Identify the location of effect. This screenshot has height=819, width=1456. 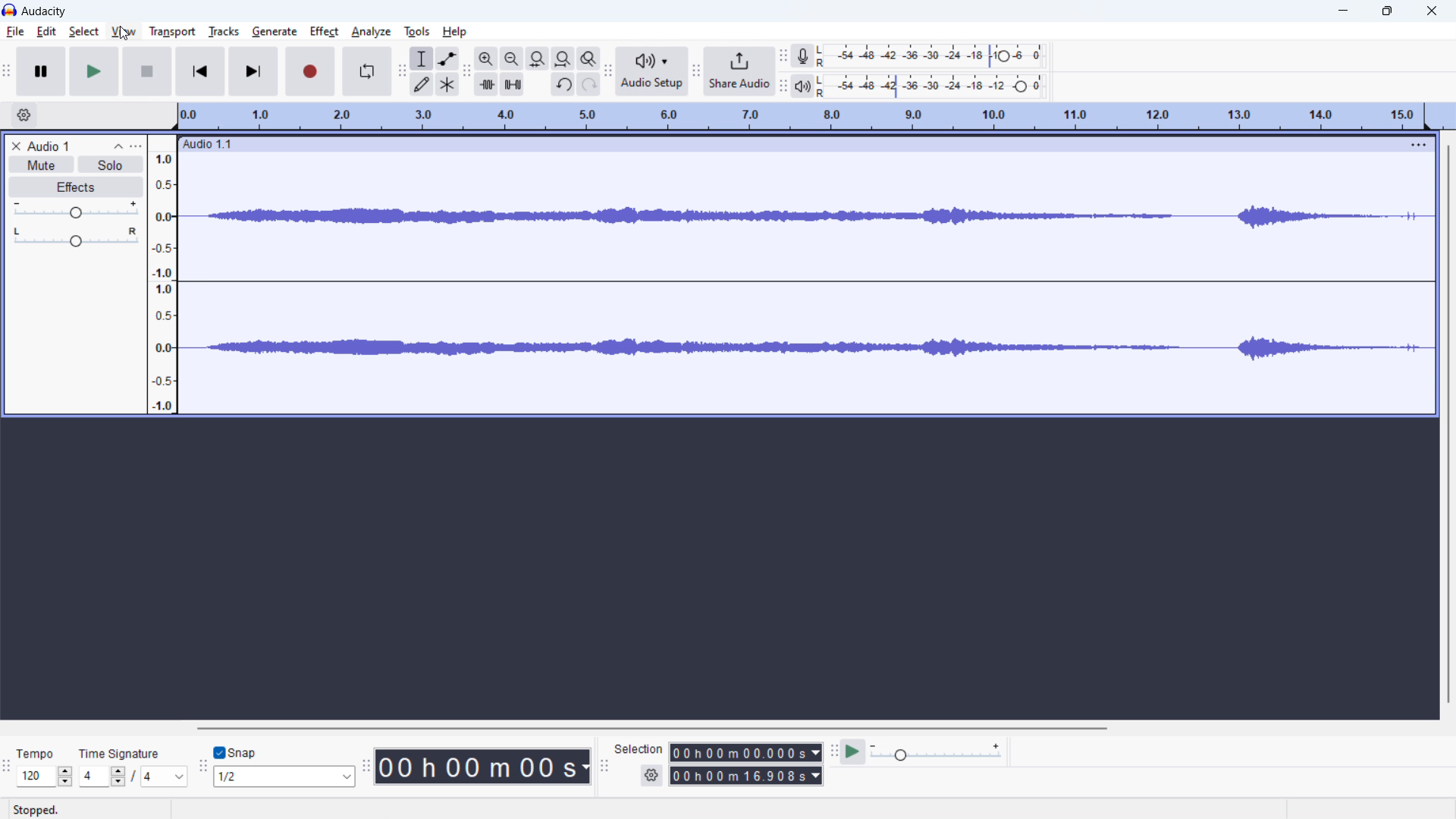
(324, 31).